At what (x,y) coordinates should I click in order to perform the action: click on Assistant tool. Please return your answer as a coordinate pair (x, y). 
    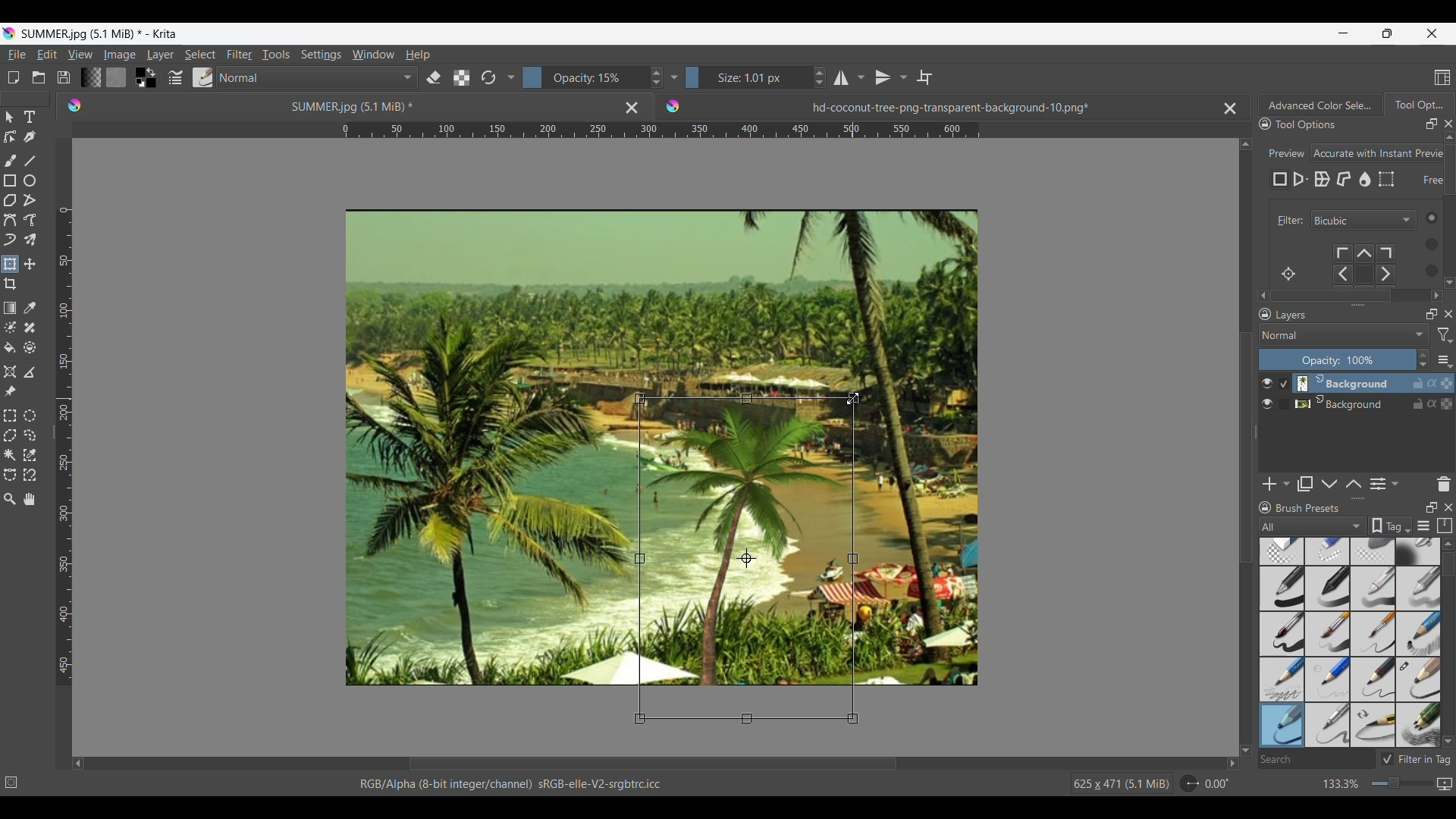
    Looking at the image, I should click on (10, 372).